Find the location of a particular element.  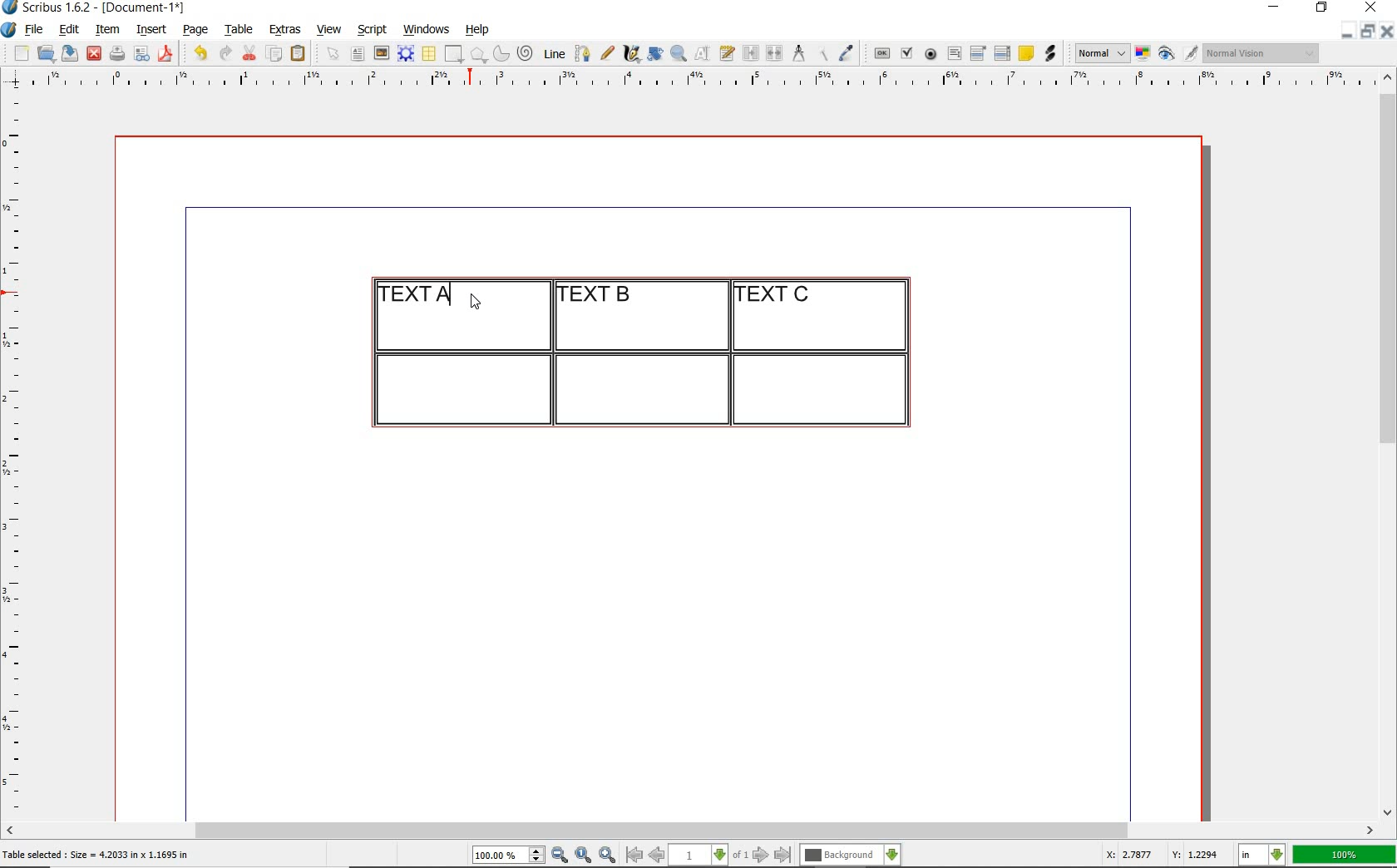

close is located at coordinates (94, 54).